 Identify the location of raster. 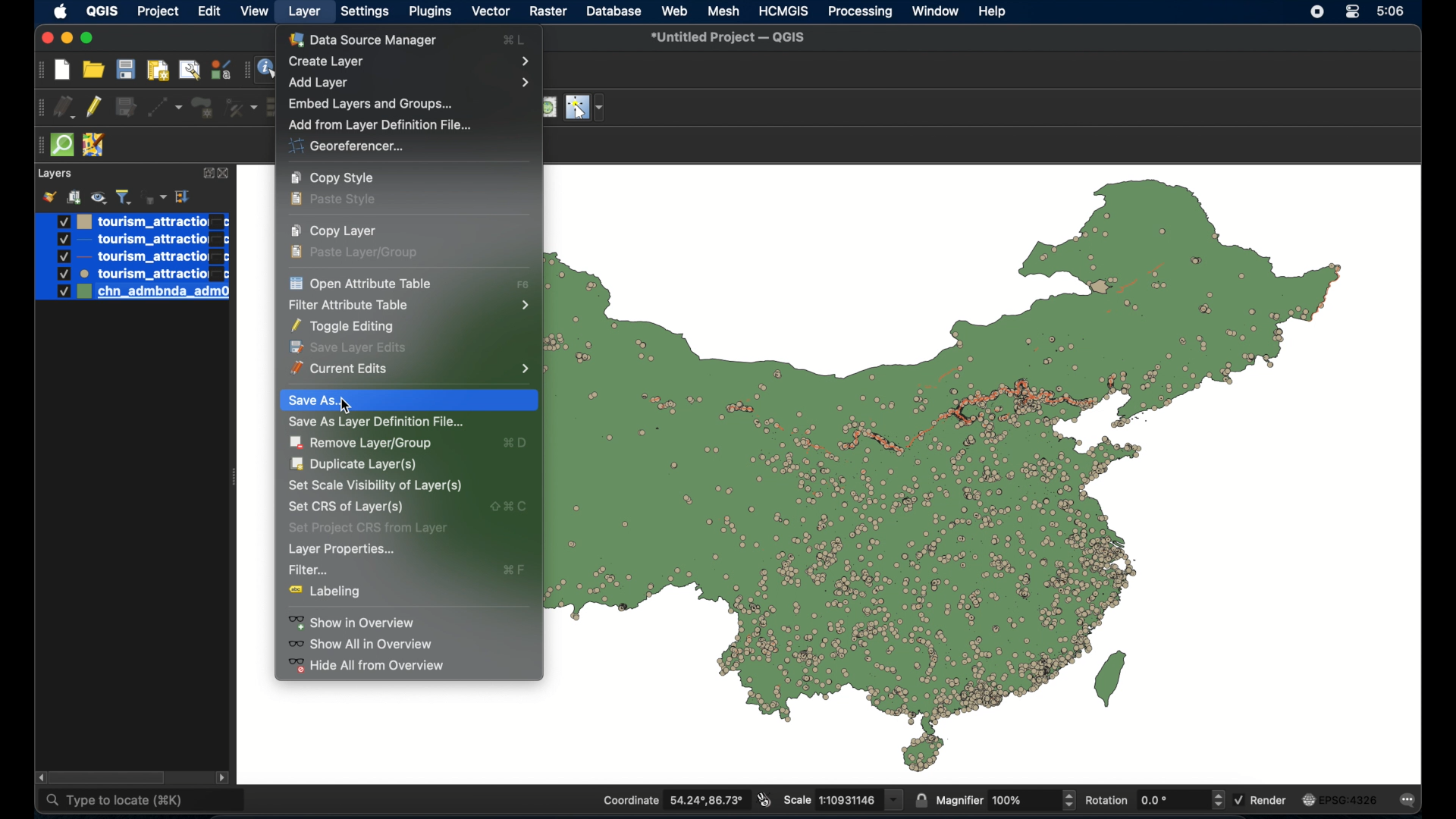
(548, 11).